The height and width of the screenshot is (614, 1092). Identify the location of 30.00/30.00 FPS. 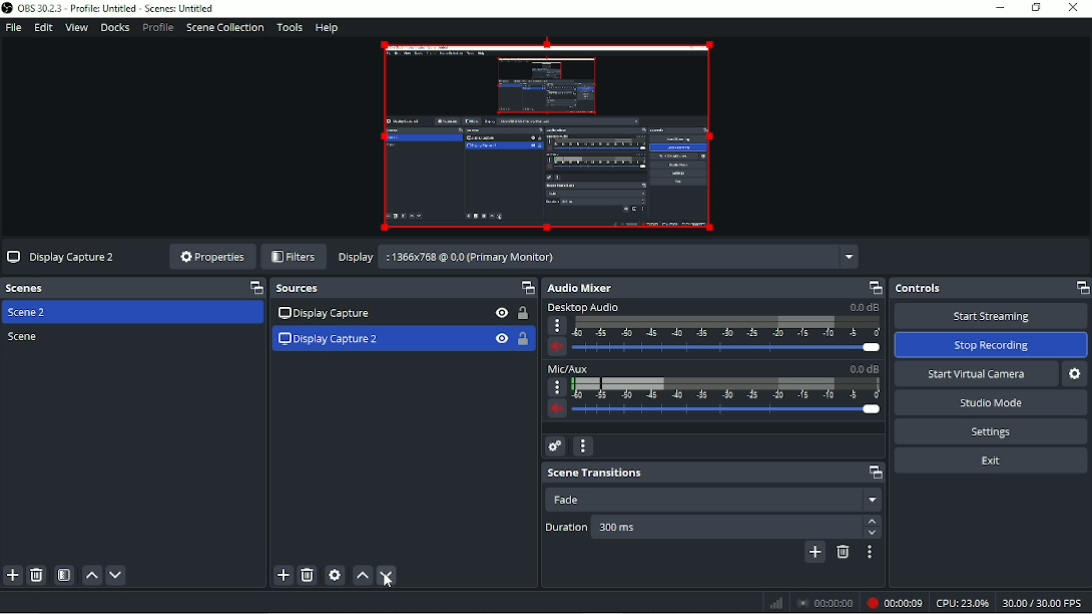
(1044, 603).